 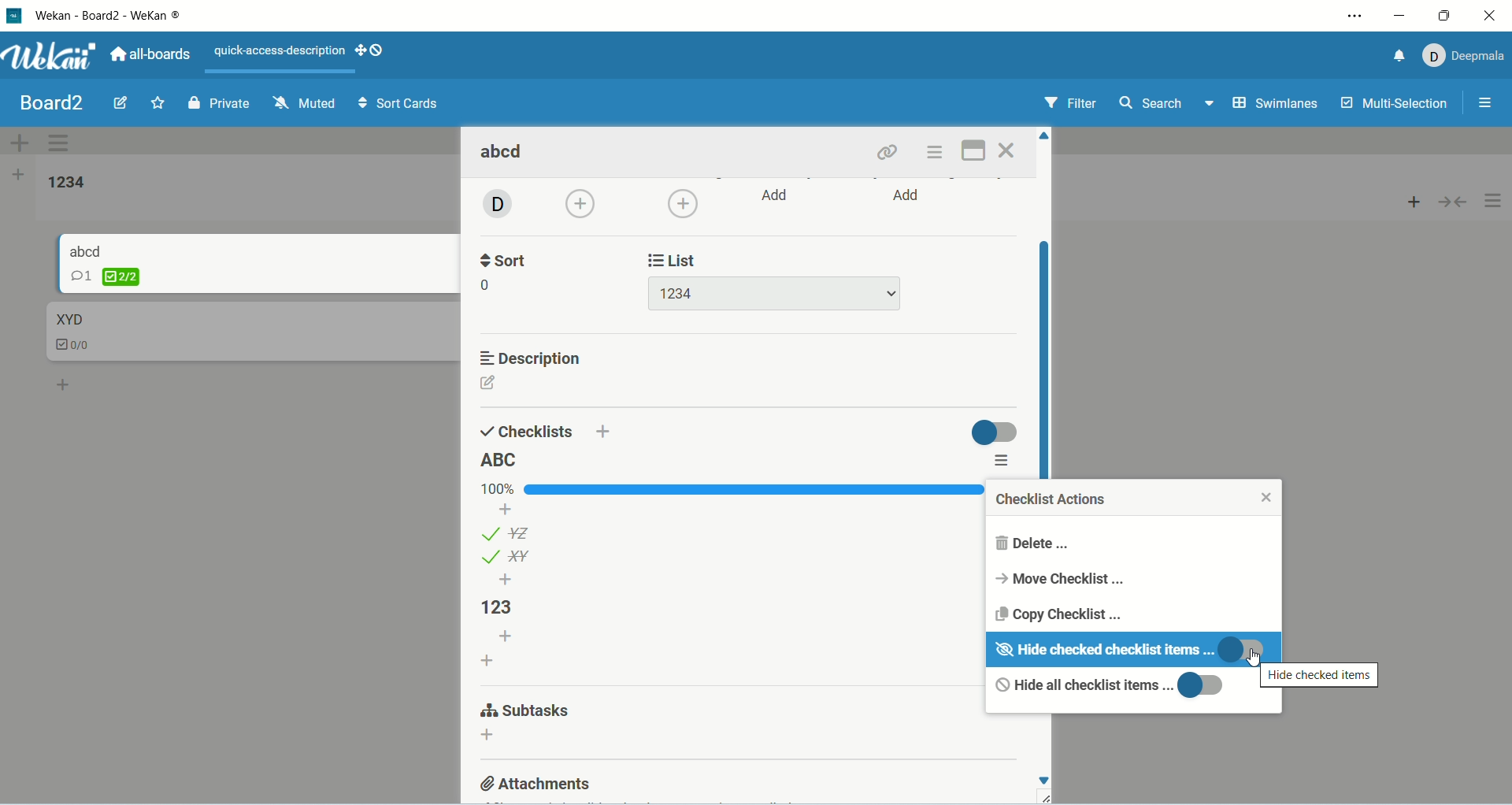 What do you see at coordinates (1008, 150) in the screenshot?
I see `close` at bounding box center [1008, 150].